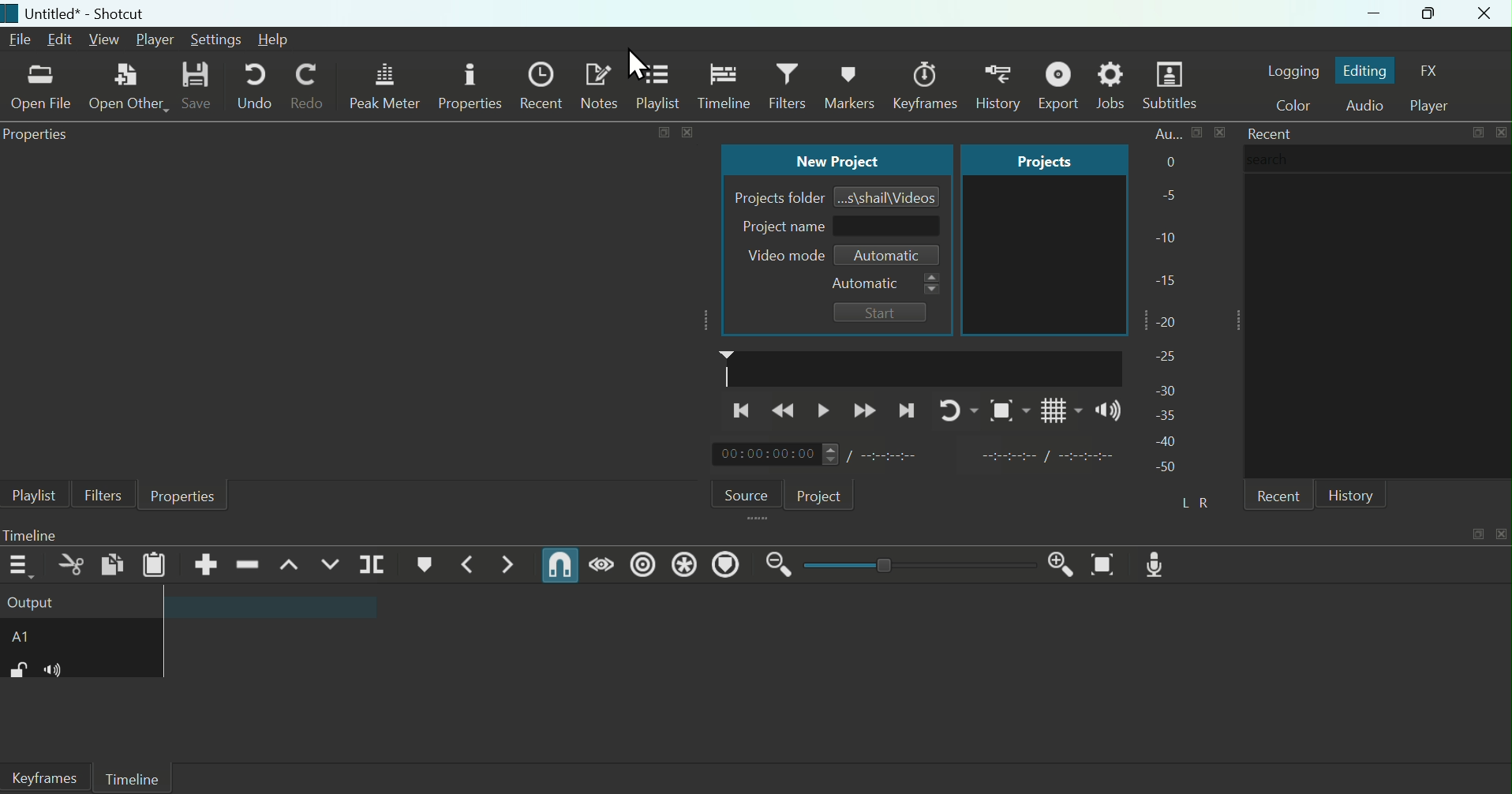  What do you see at coordinates (62, 40) in the screenshot?
I see `Edit` at bounding box center [62, 40].